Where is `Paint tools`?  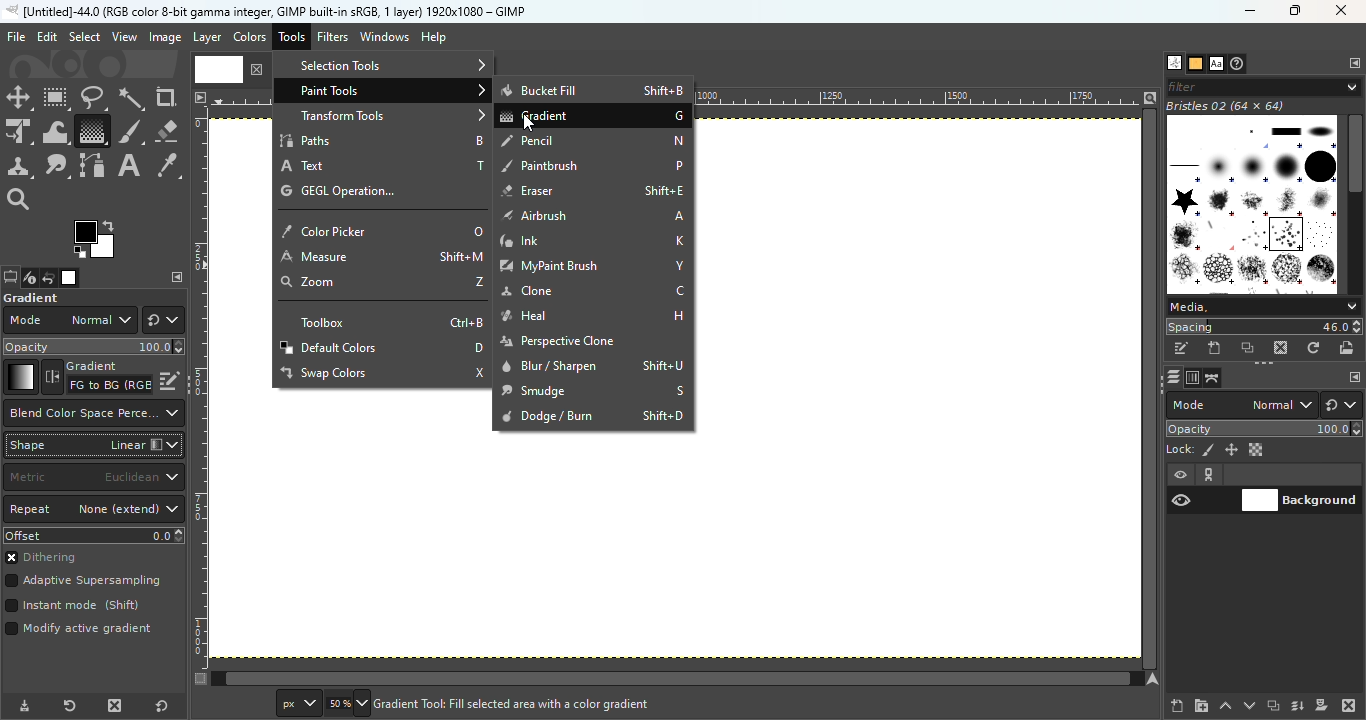 Paint tools is located at coordinates (384, 90).